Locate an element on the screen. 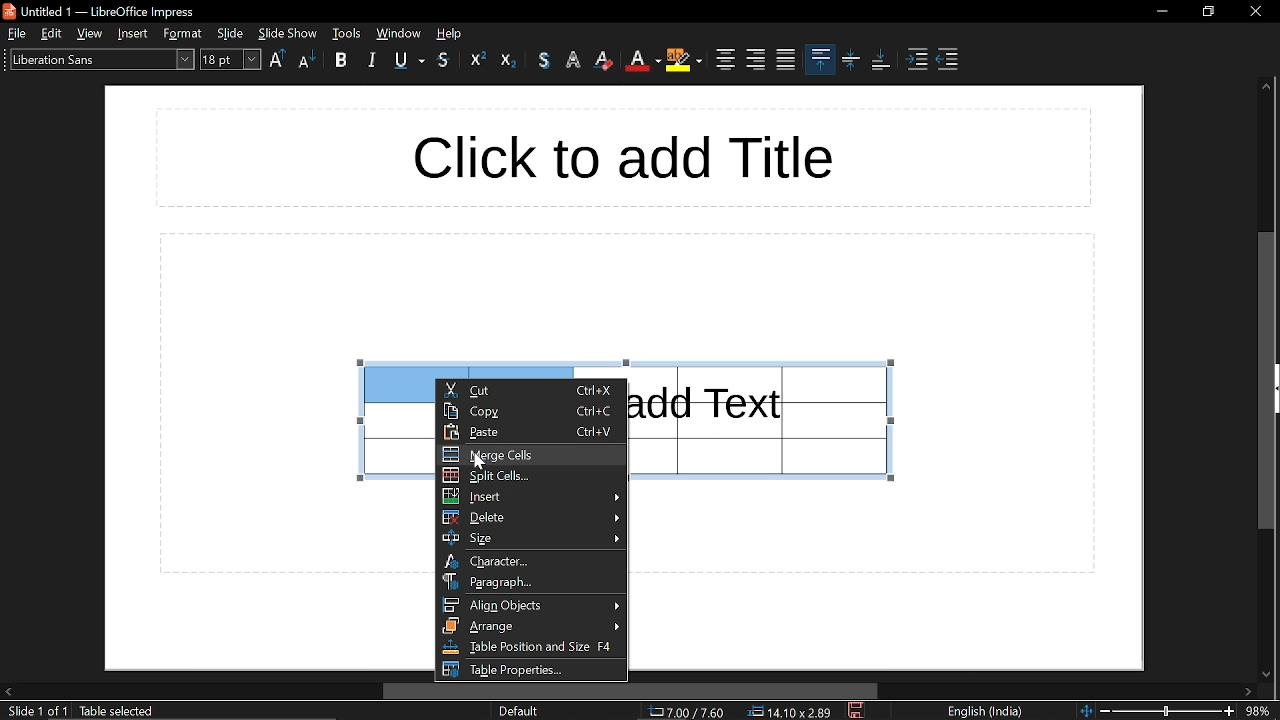  table position is located at coordinates (530, 647).